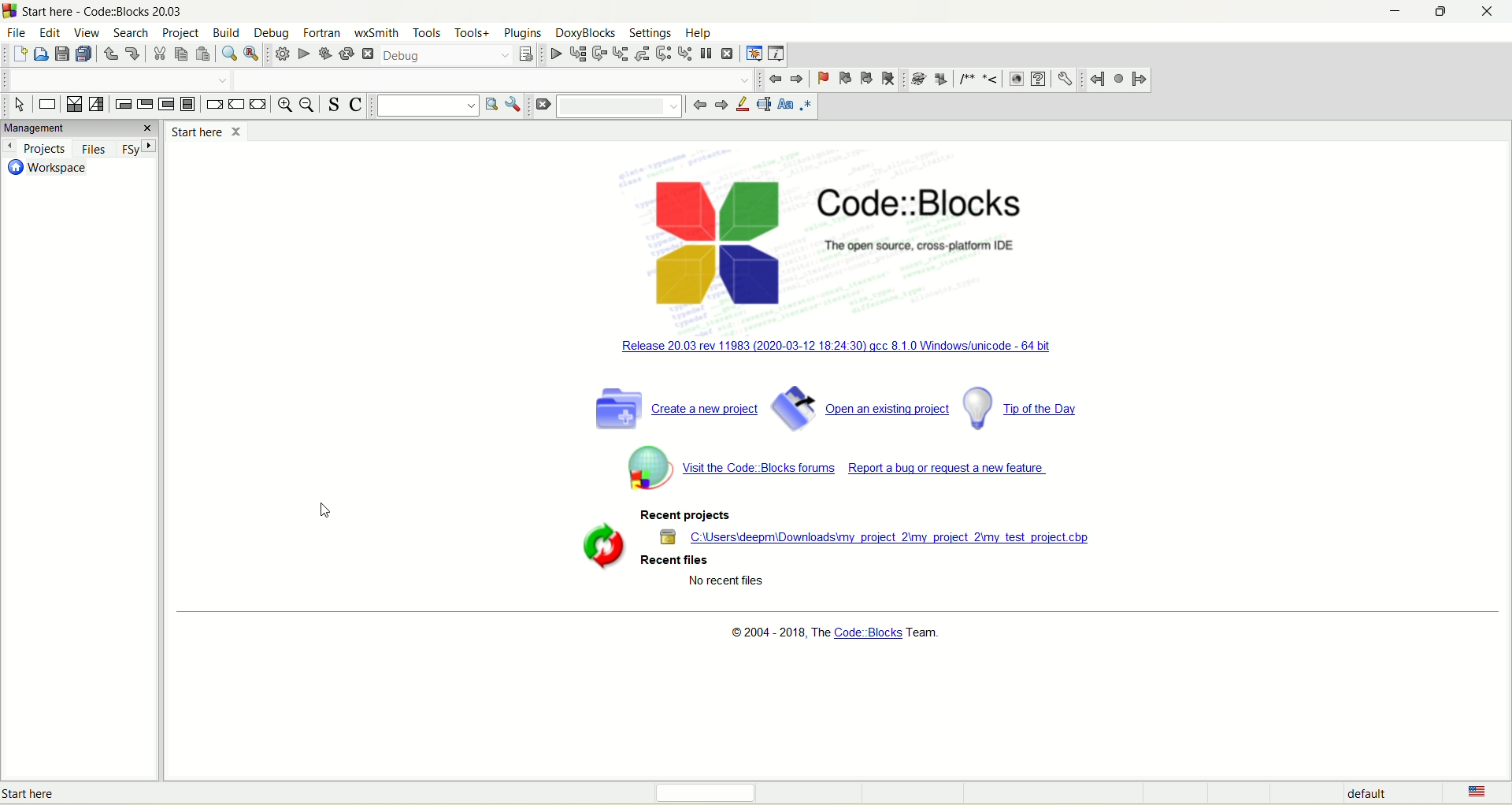 This screenshot has width=1512, height=805. What do you see at coordinates (512, 105) in the screenshot?
I see `options window` at bounding box center [512, 105].